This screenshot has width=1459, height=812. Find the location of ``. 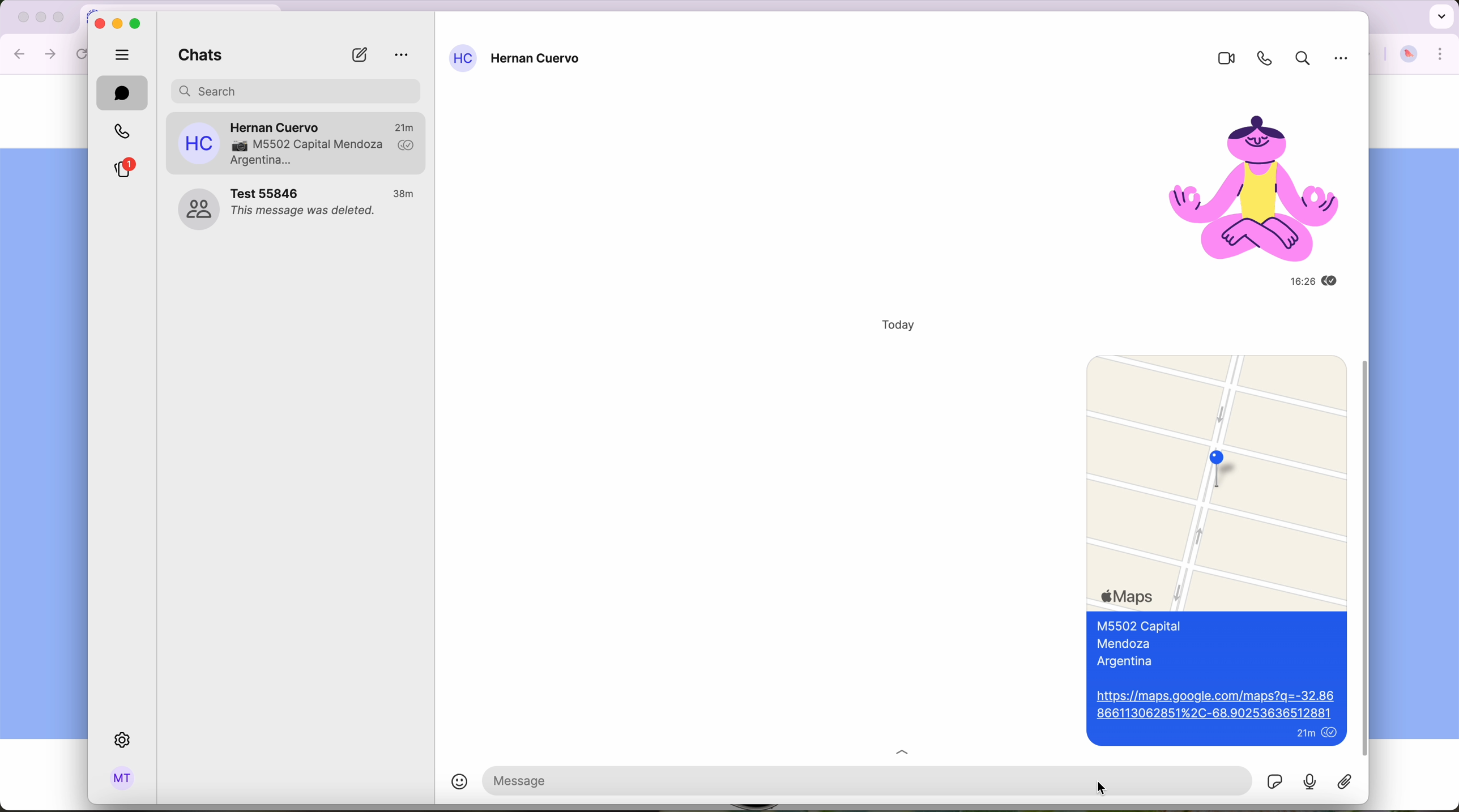

 is located at coordinates (1367, 558).